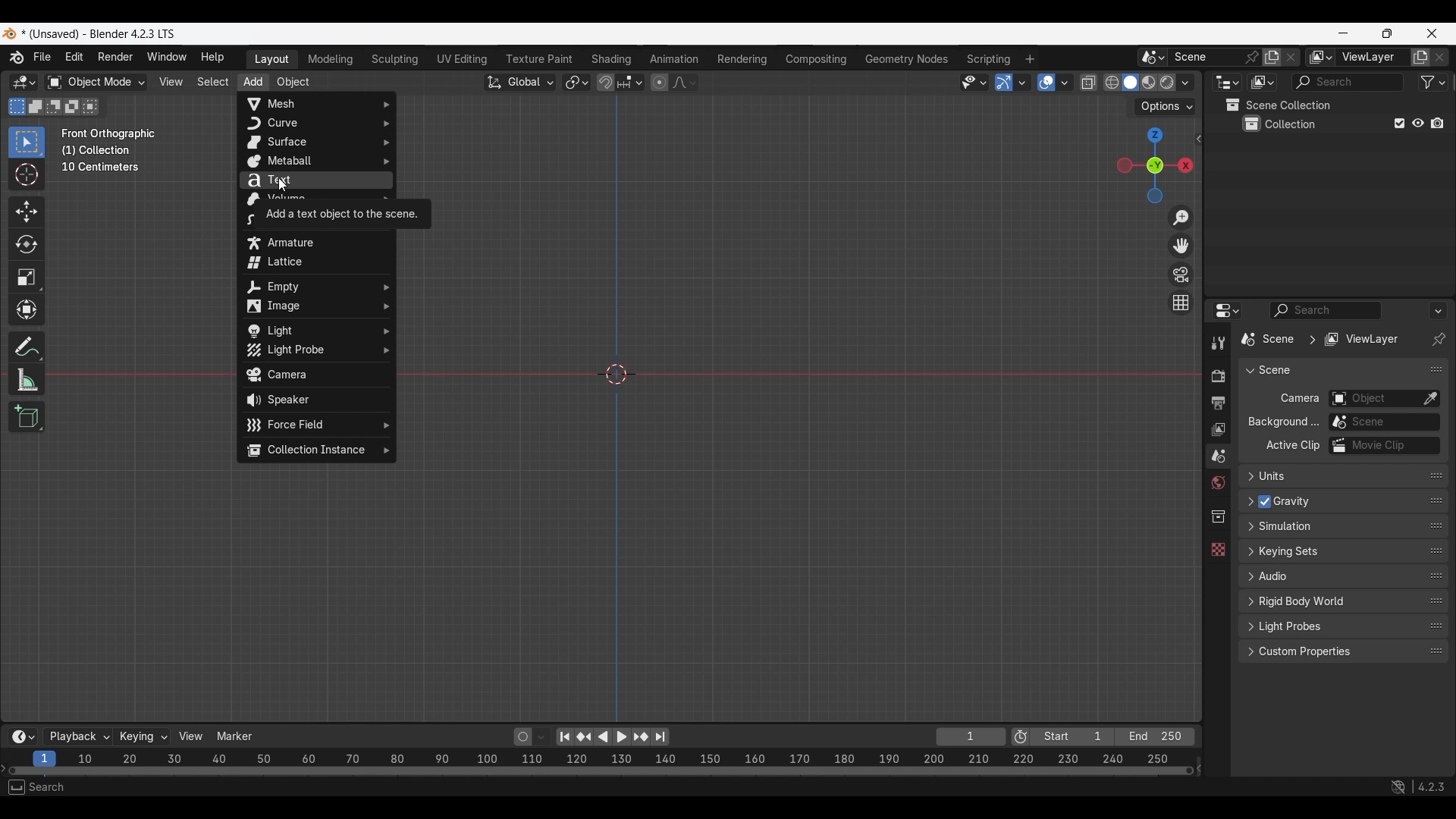  What do you see at coordinates (1180, 302) in the screenshot?
I see `Switch the current view from perspective/orthographic projection` at bounding box center [1180, 302].